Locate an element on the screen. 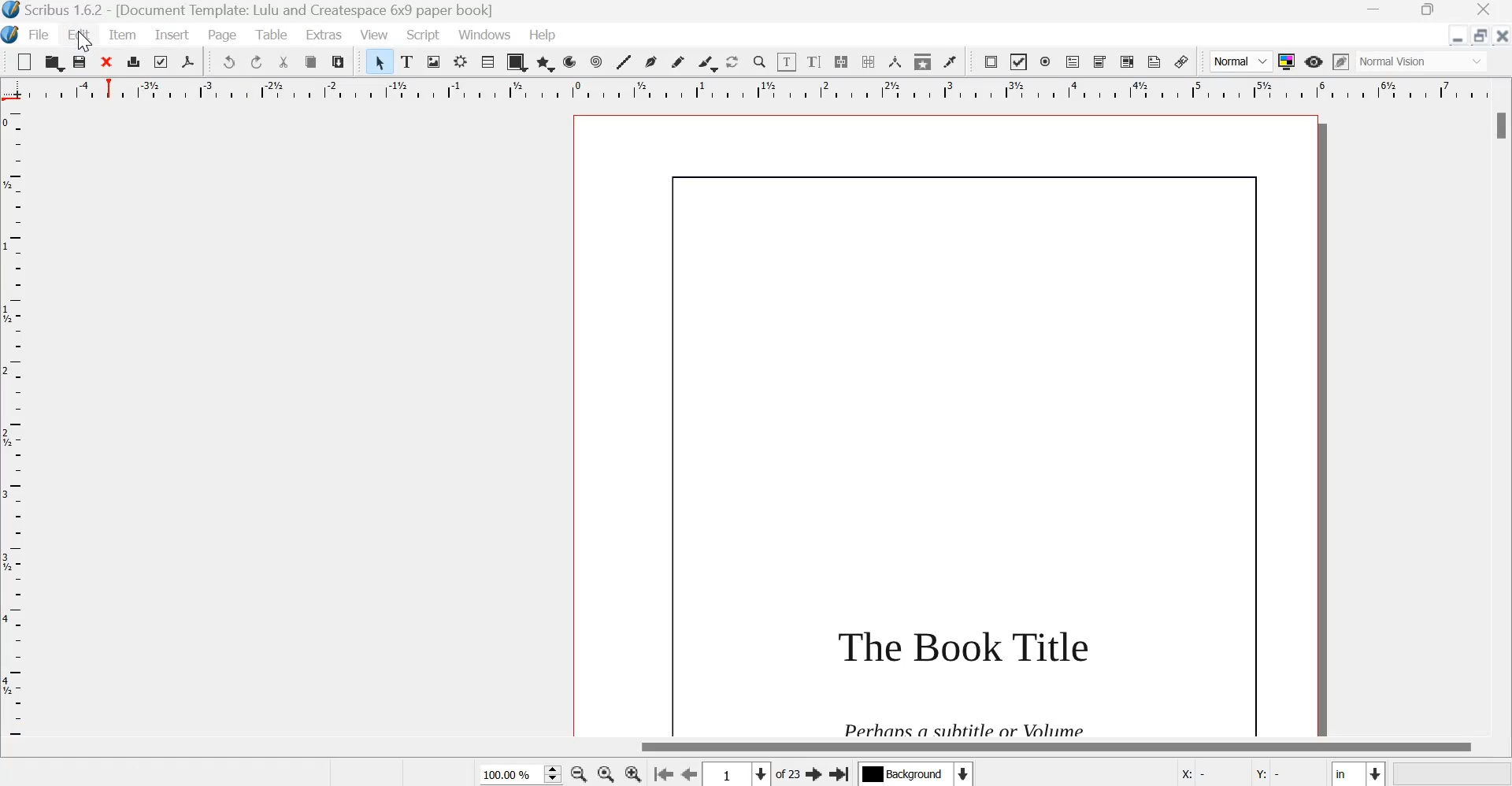 The image size is (1512, 786). zoom in to 100% is located at coordinates (606, 773).